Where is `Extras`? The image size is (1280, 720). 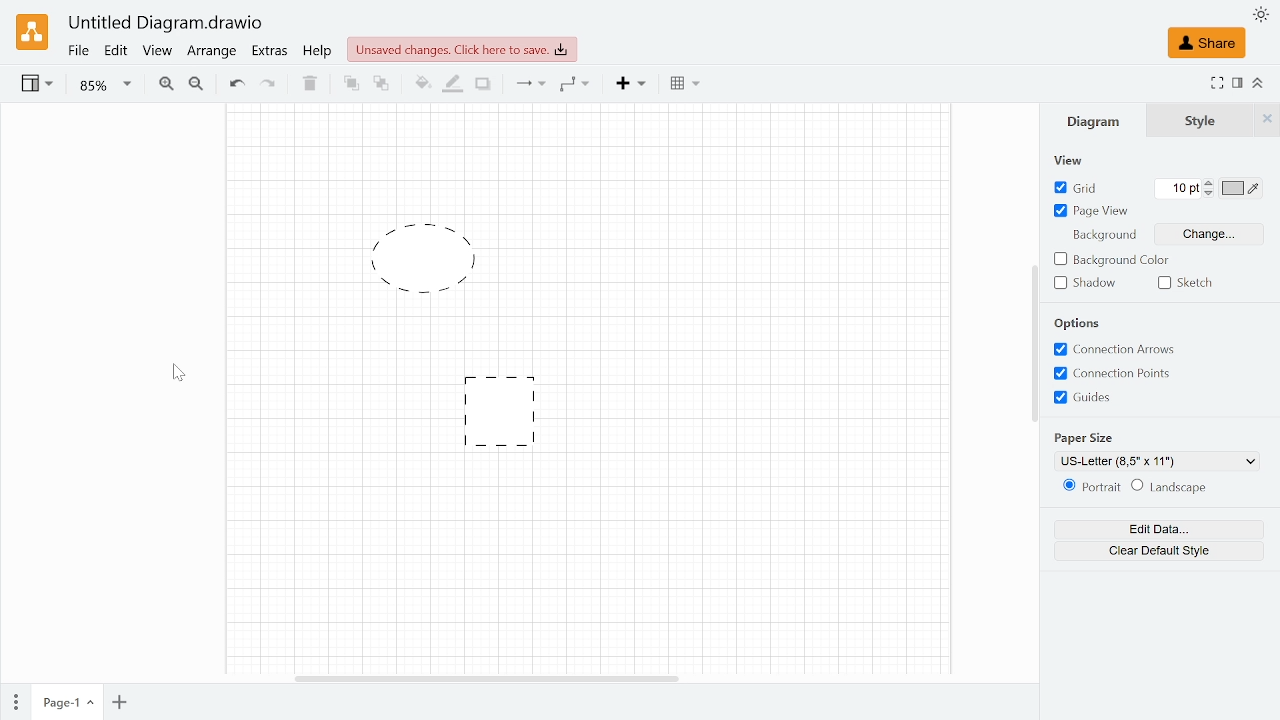 Extras is located at coordinates (270, 53).